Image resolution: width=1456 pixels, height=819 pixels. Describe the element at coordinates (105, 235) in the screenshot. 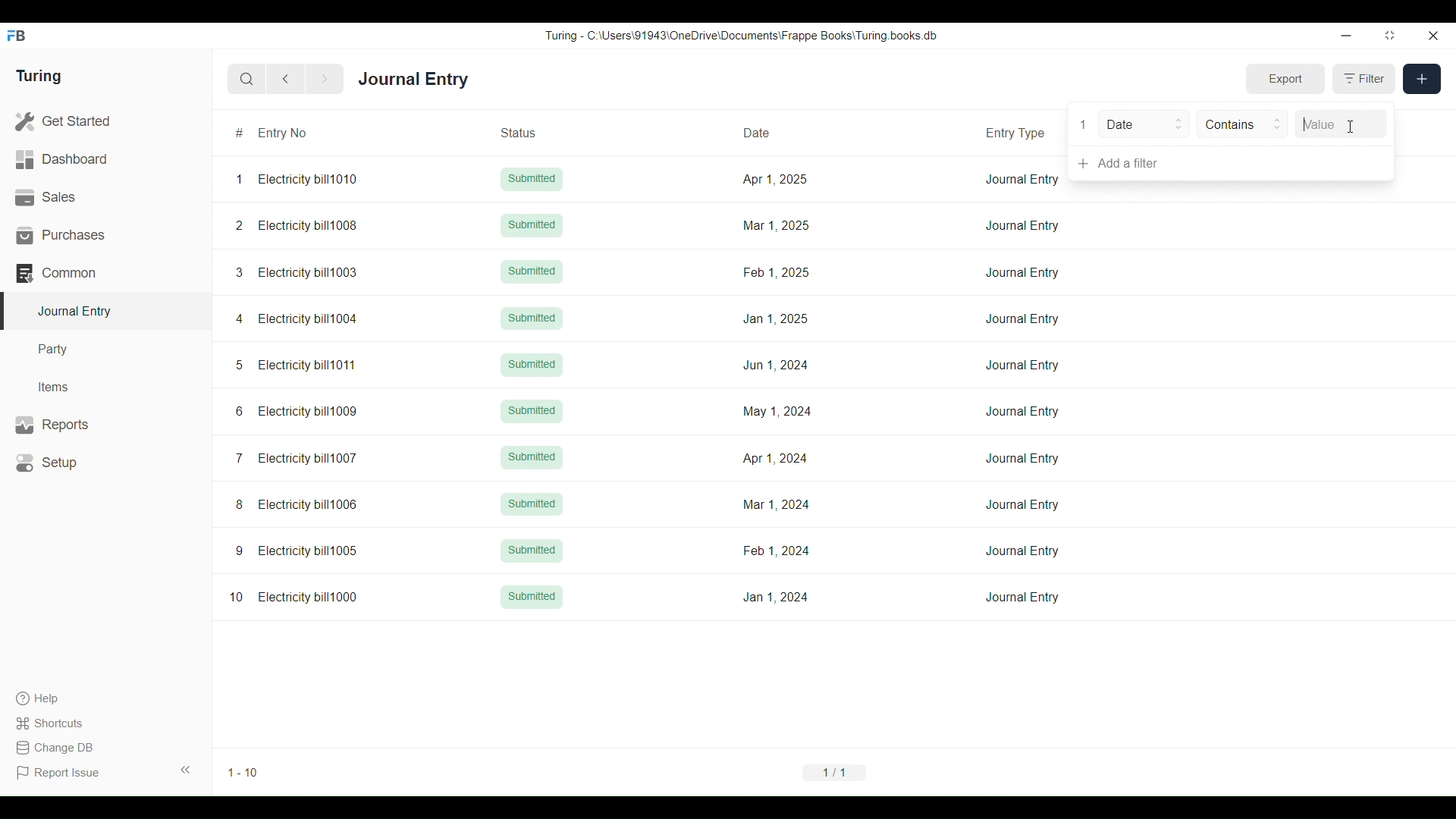

I see `Purchases` at that location.